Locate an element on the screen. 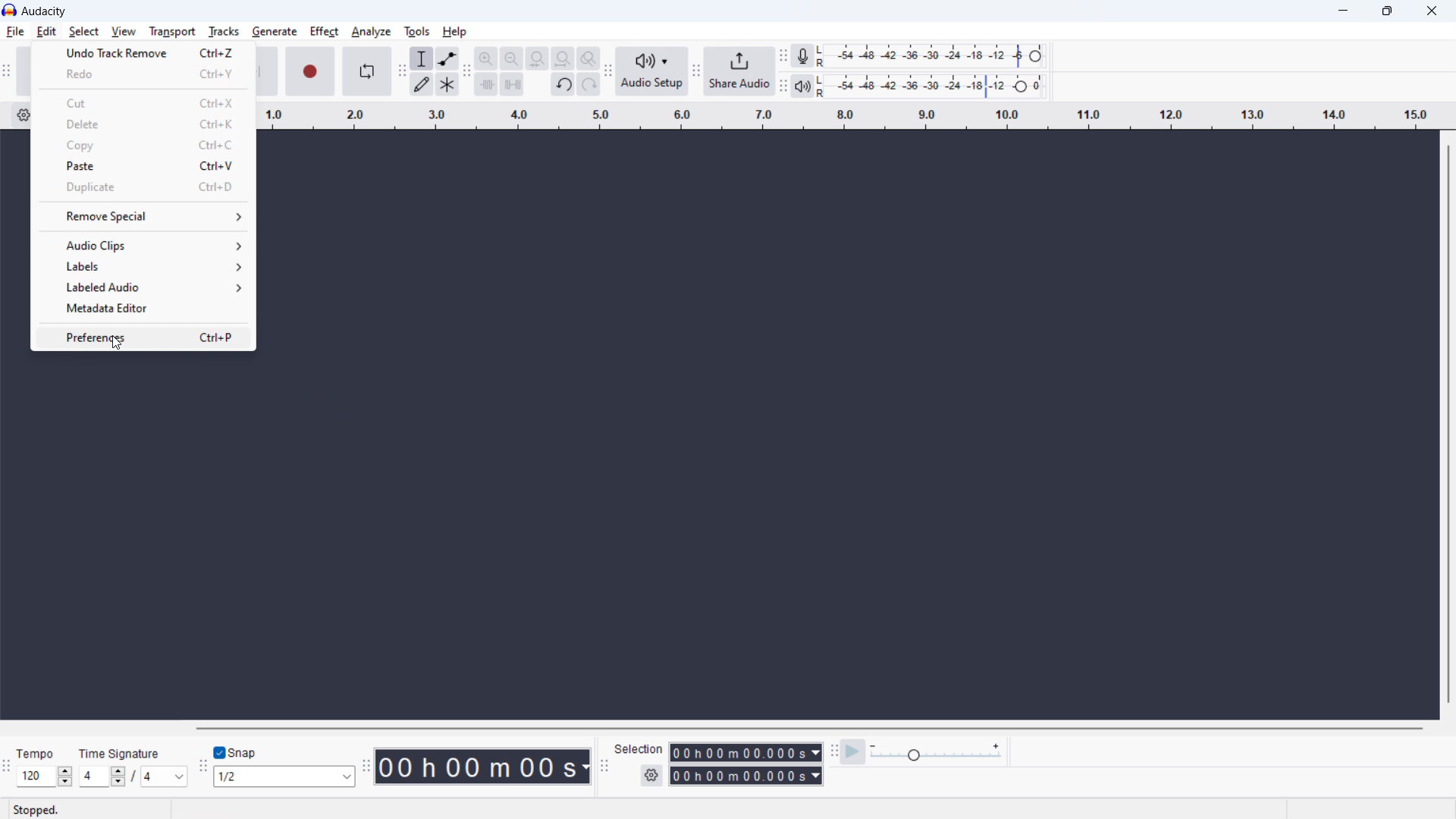  selection toolbar is located at coordinates (604, 766).